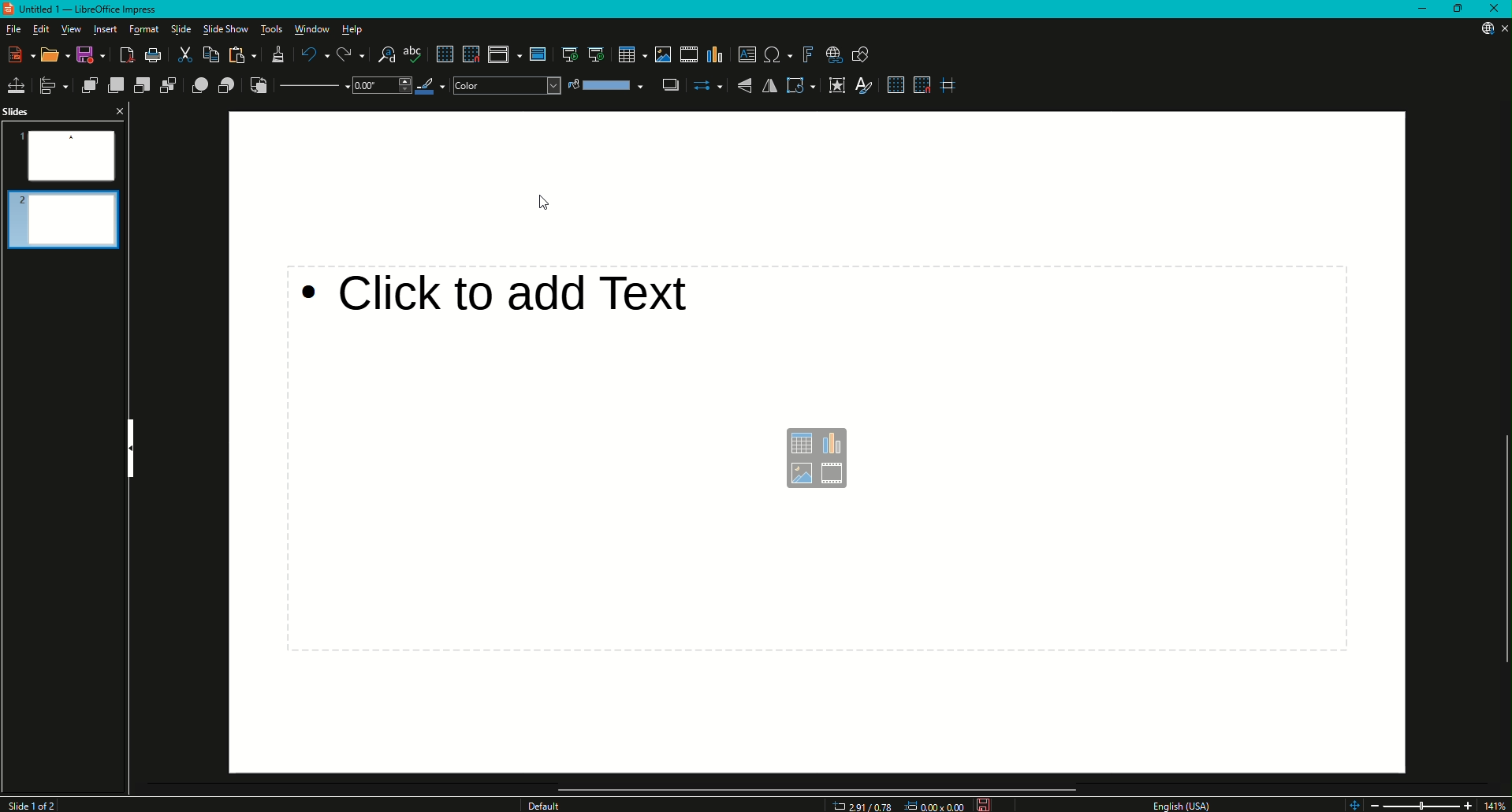 This screenshot has width=1512, height=812. What do you see at coordinates (440, 53) in the screenshot?
I see `Display Grid` at bounding box center [440, 53].